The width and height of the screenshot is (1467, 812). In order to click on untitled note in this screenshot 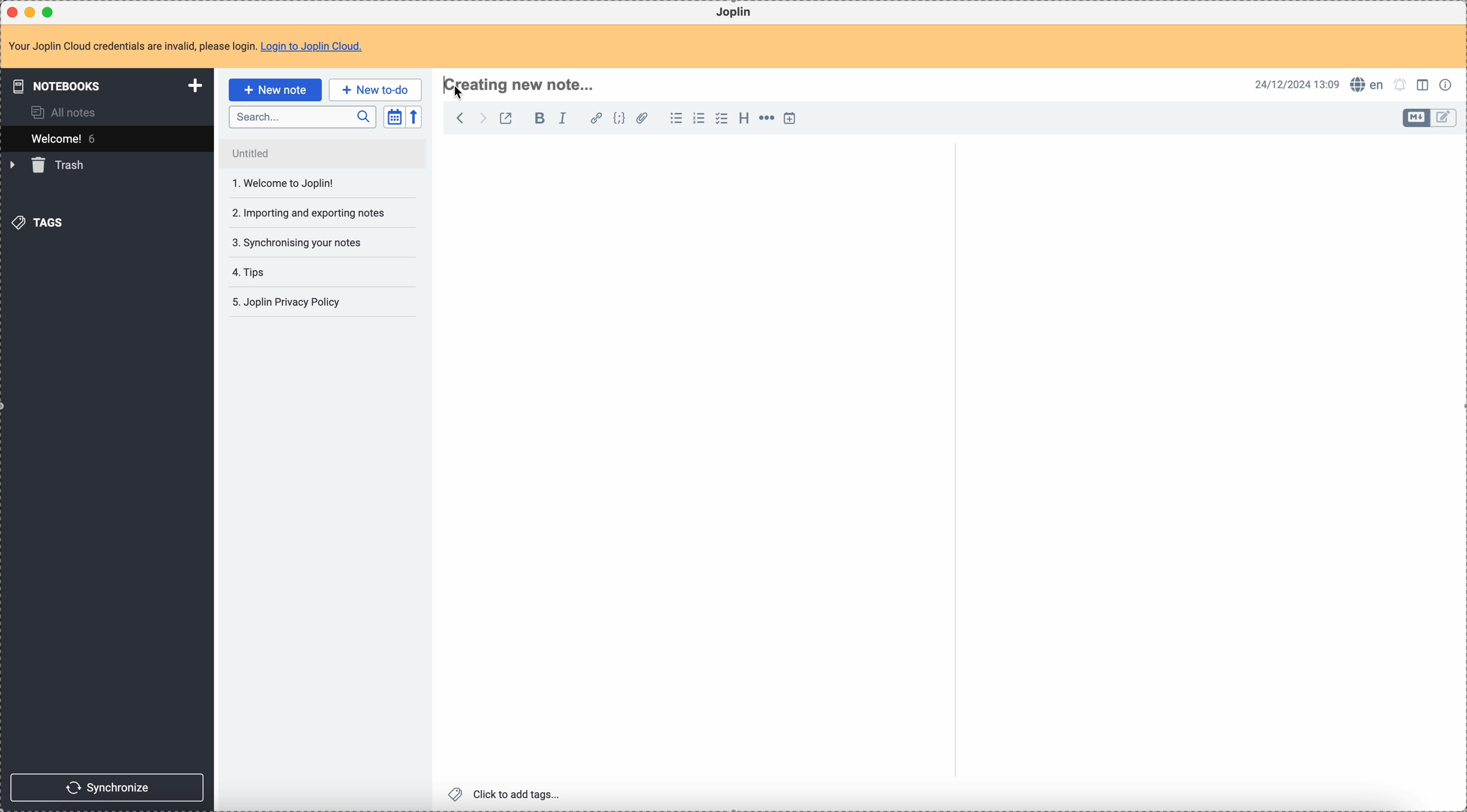, I will do `click(323, 153)`.